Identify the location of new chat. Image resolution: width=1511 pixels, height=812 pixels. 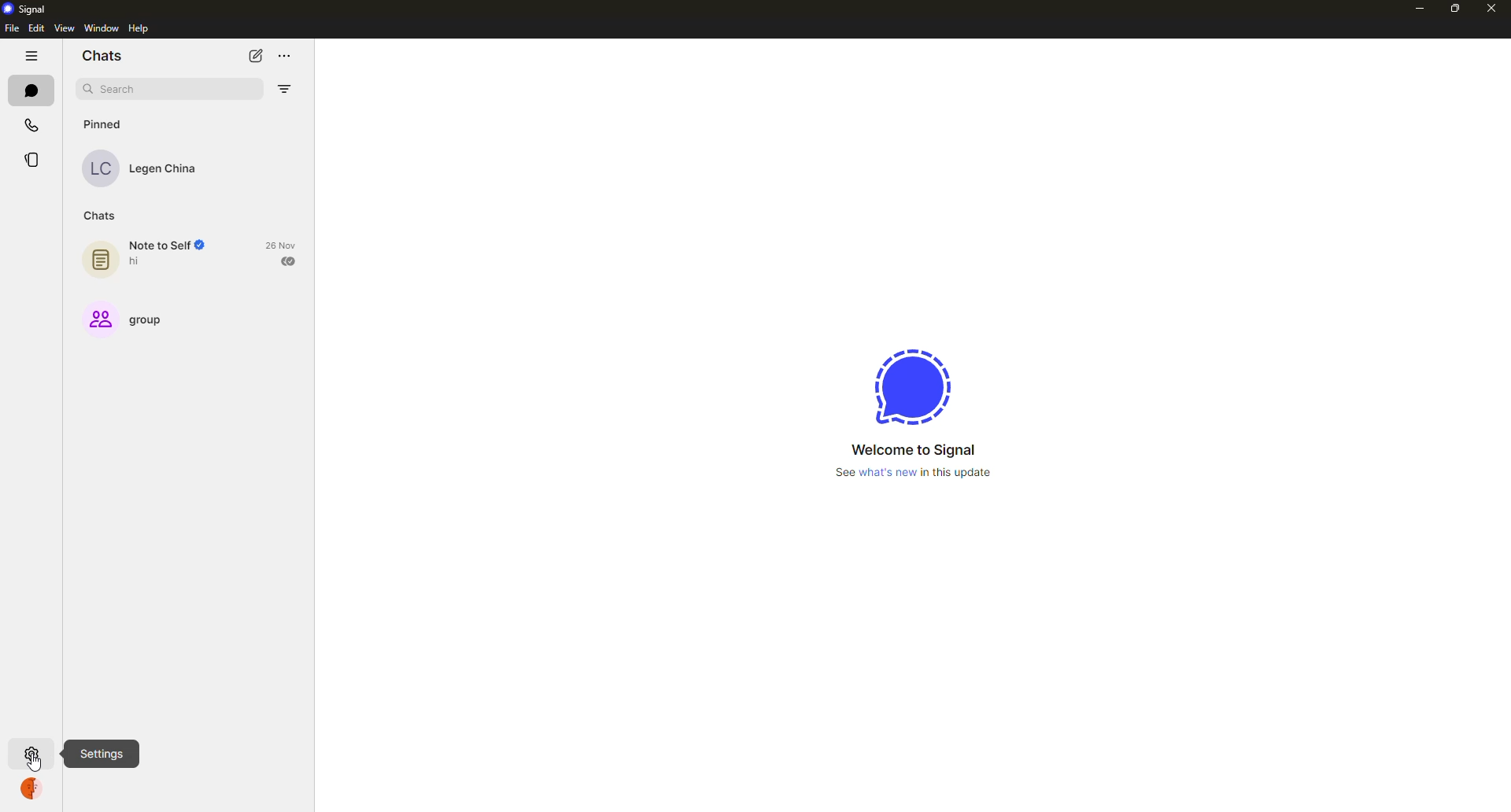
(253, 55).